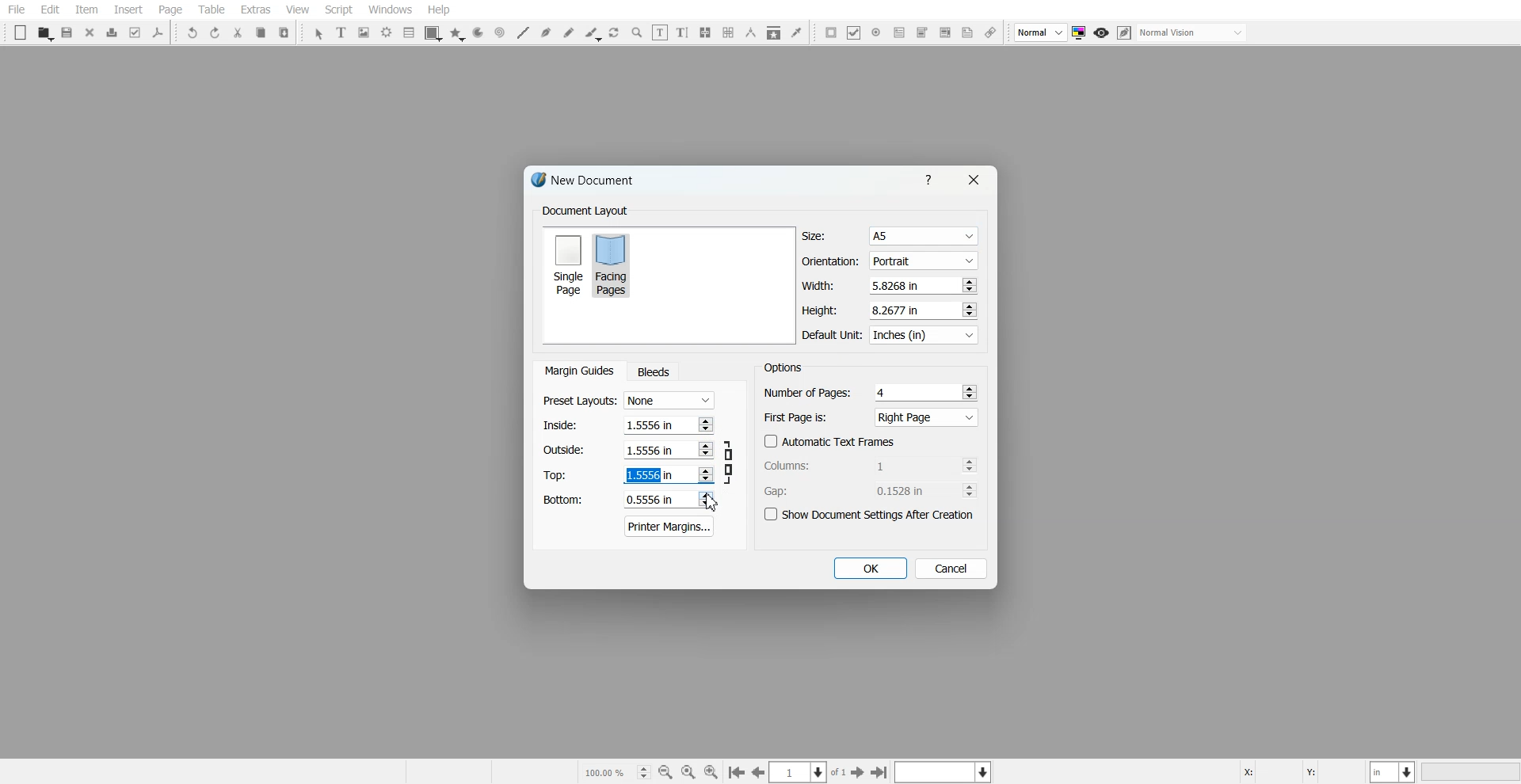 The height and width of the screenshot is (784, 1521). Describe the element at coordinates (831, 32) in the screenshot. I see `PDF Push button` at that location.